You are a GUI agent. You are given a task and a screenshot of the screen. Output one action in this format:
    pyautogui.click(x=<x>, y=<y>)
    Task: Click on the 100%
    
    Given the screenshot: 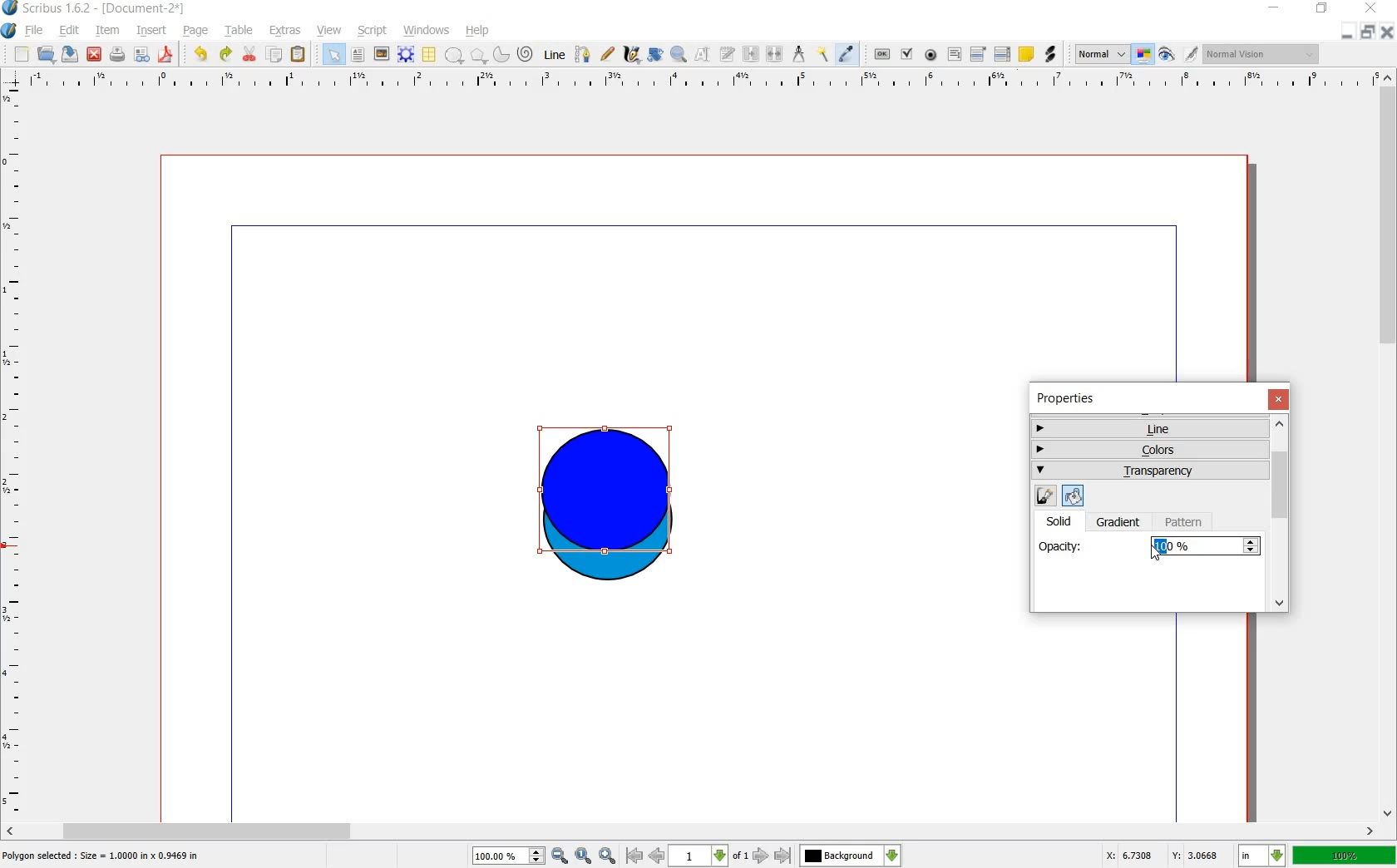 What is the action you would take?
    pyautogui.click(x=1345, y=857)
    